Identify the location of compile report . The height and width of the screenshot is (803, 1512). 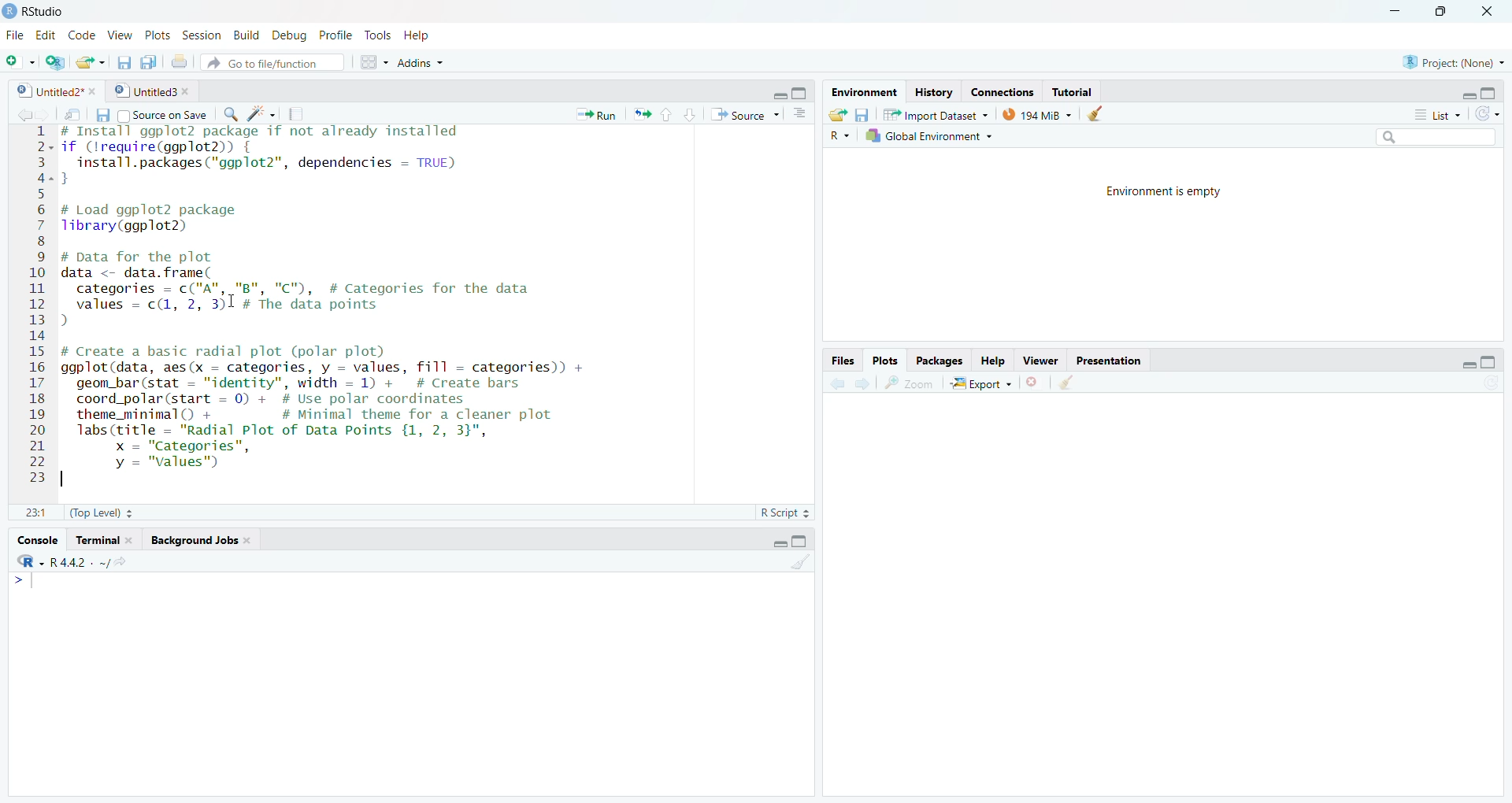
(300, 114).